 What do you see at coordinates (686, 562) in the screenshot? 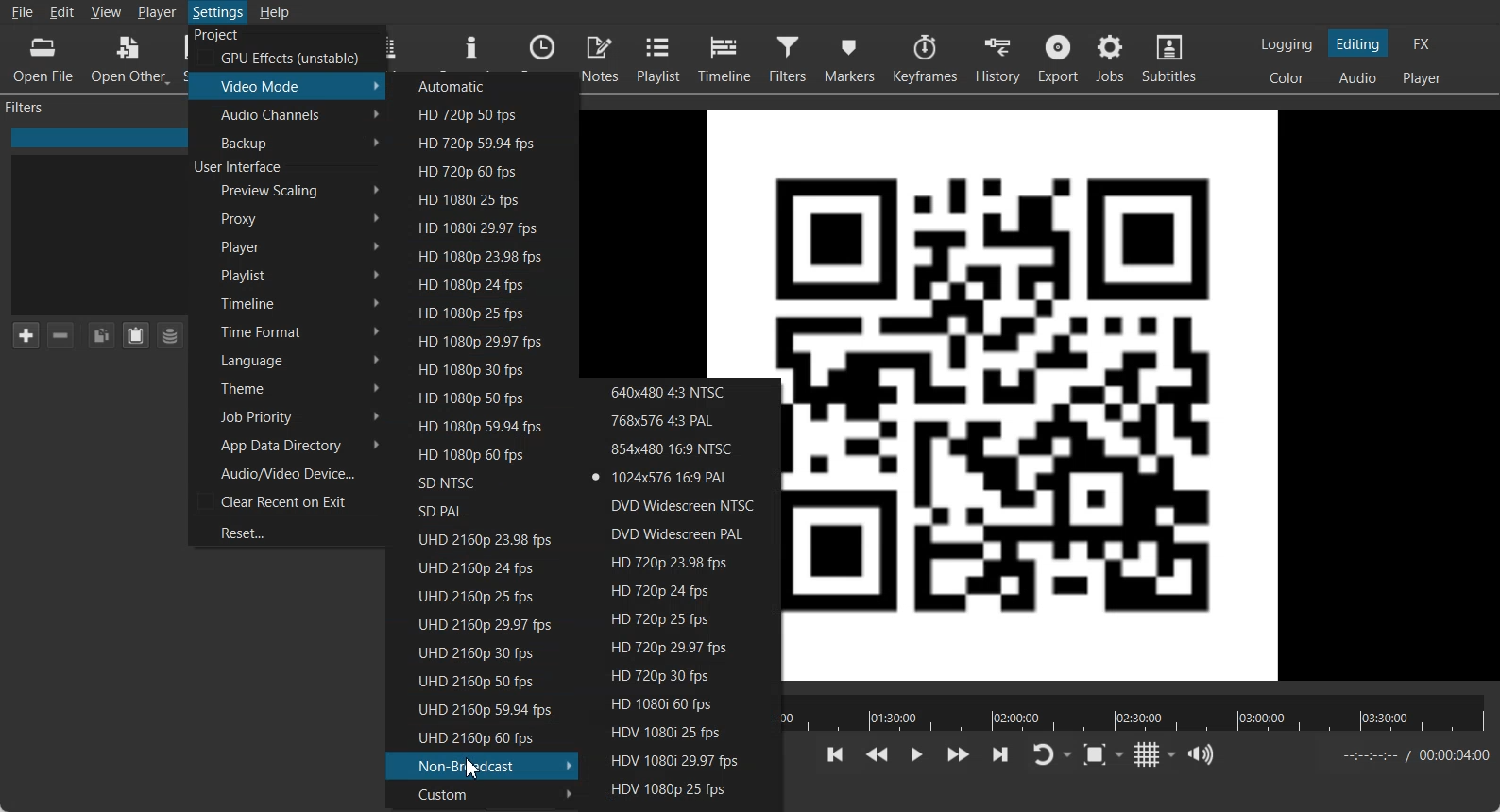
I see `HD 720p 23.98 fps` at bounding box center [686, 562].